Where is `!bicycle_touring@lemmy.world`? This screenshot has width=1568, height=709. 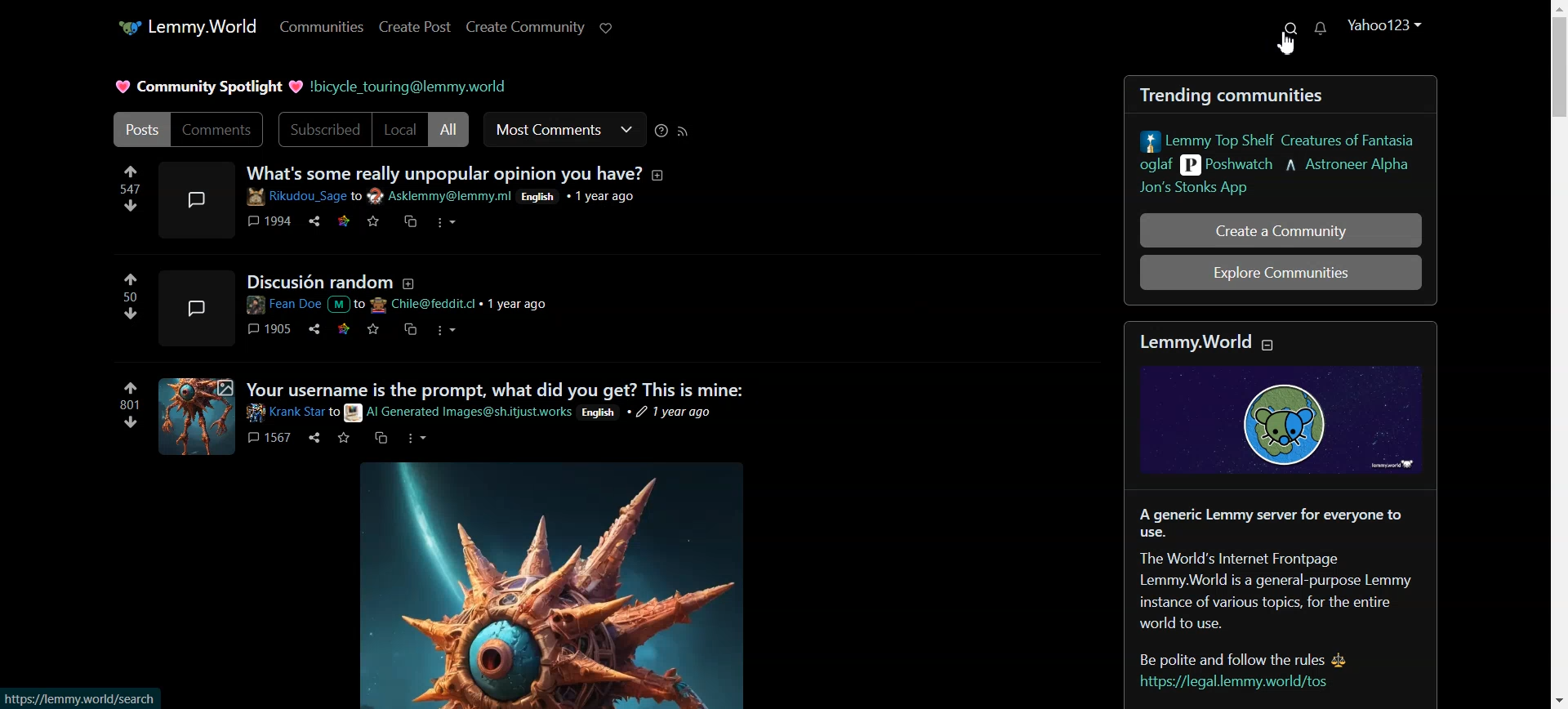
!bicycle_touring@lemmy.world is located at coordinates (412, 87).